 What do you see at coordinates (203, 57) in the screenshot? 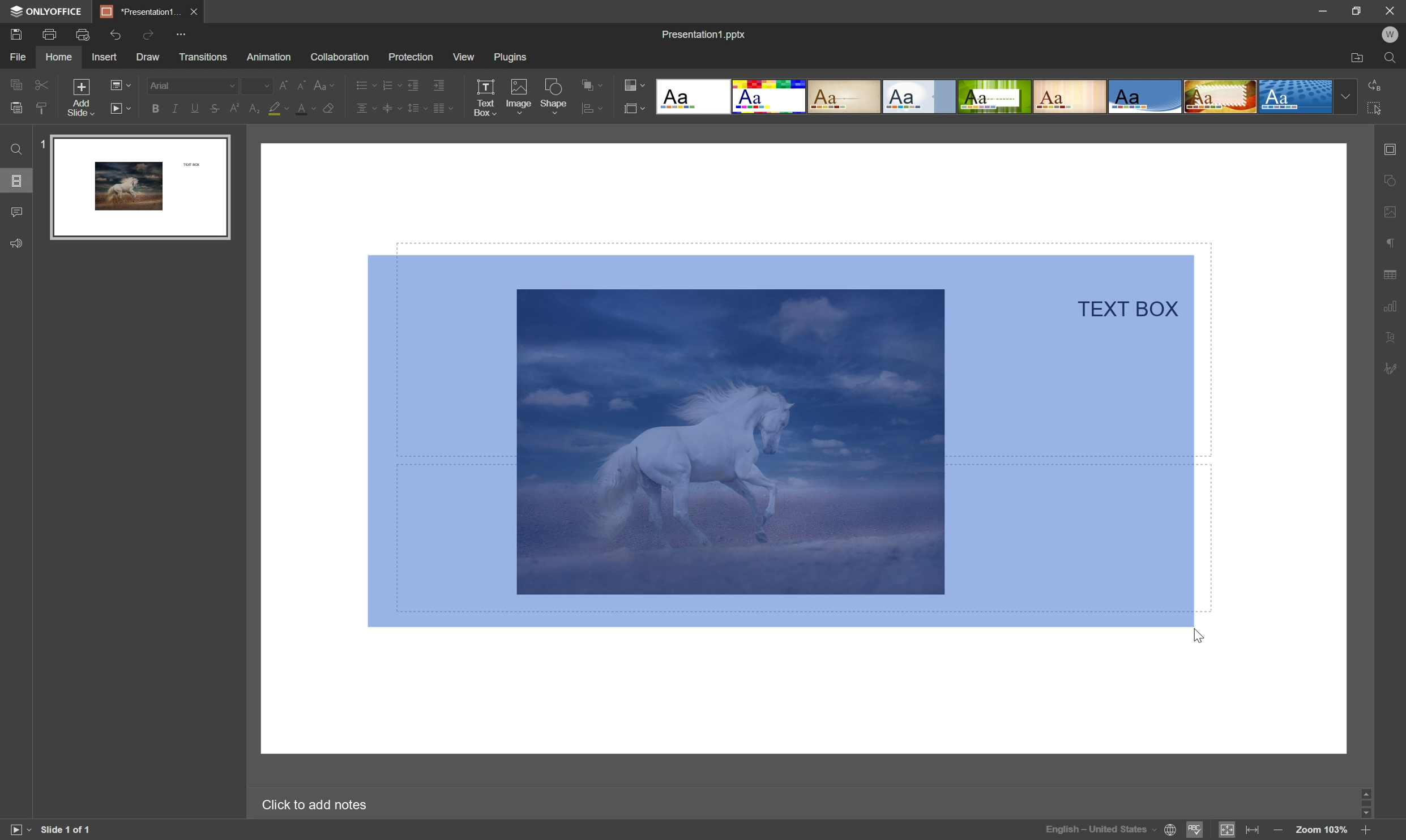
I see `transitions` at bounding box center [203, 57].